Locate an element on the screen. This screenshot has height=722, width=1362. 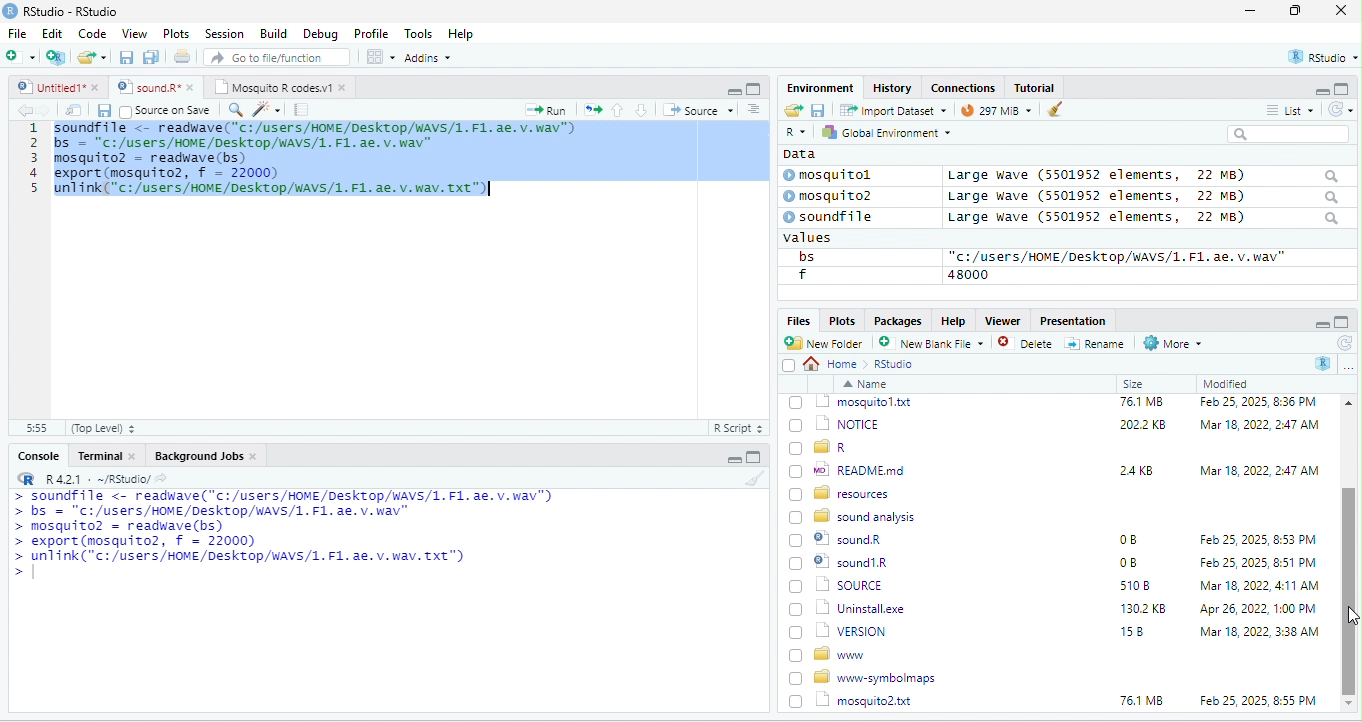
bs is located at coordinates (803, 256).